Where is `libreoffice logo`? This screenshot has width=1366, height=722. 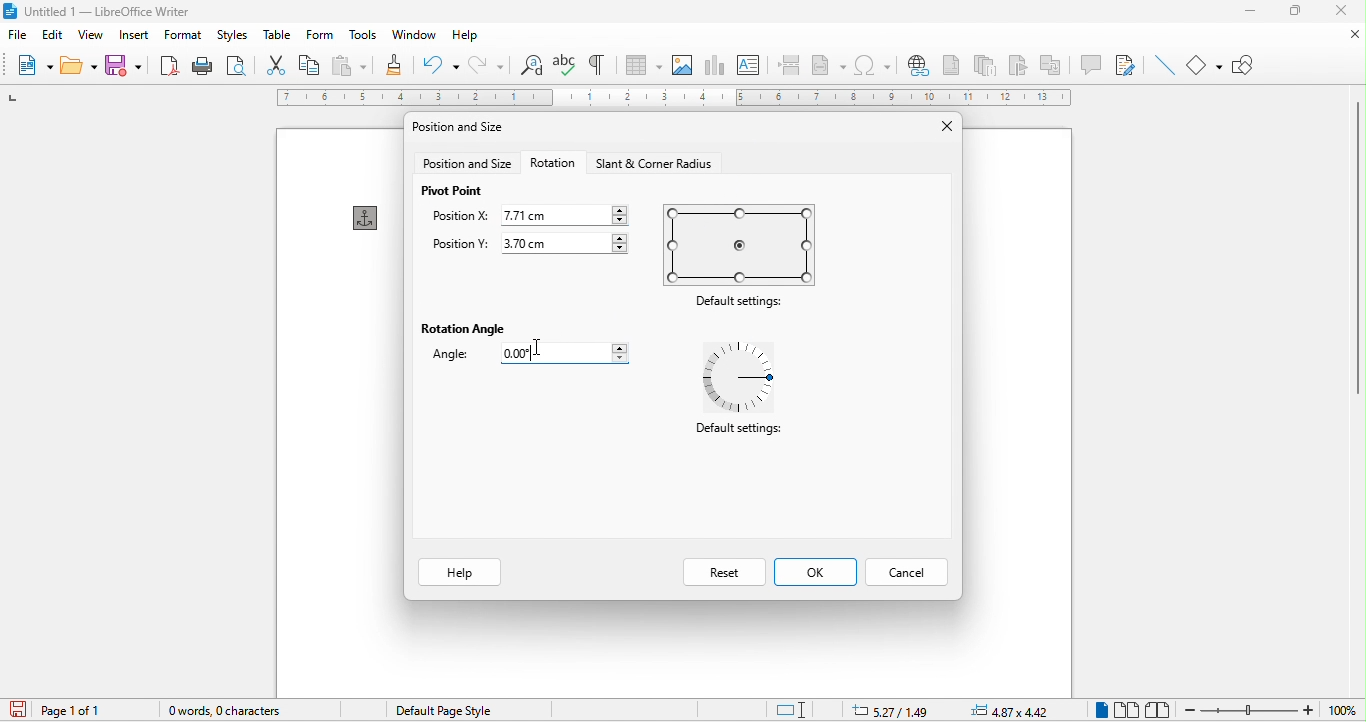
libreoffice logo is located at coordinates (10, 11).